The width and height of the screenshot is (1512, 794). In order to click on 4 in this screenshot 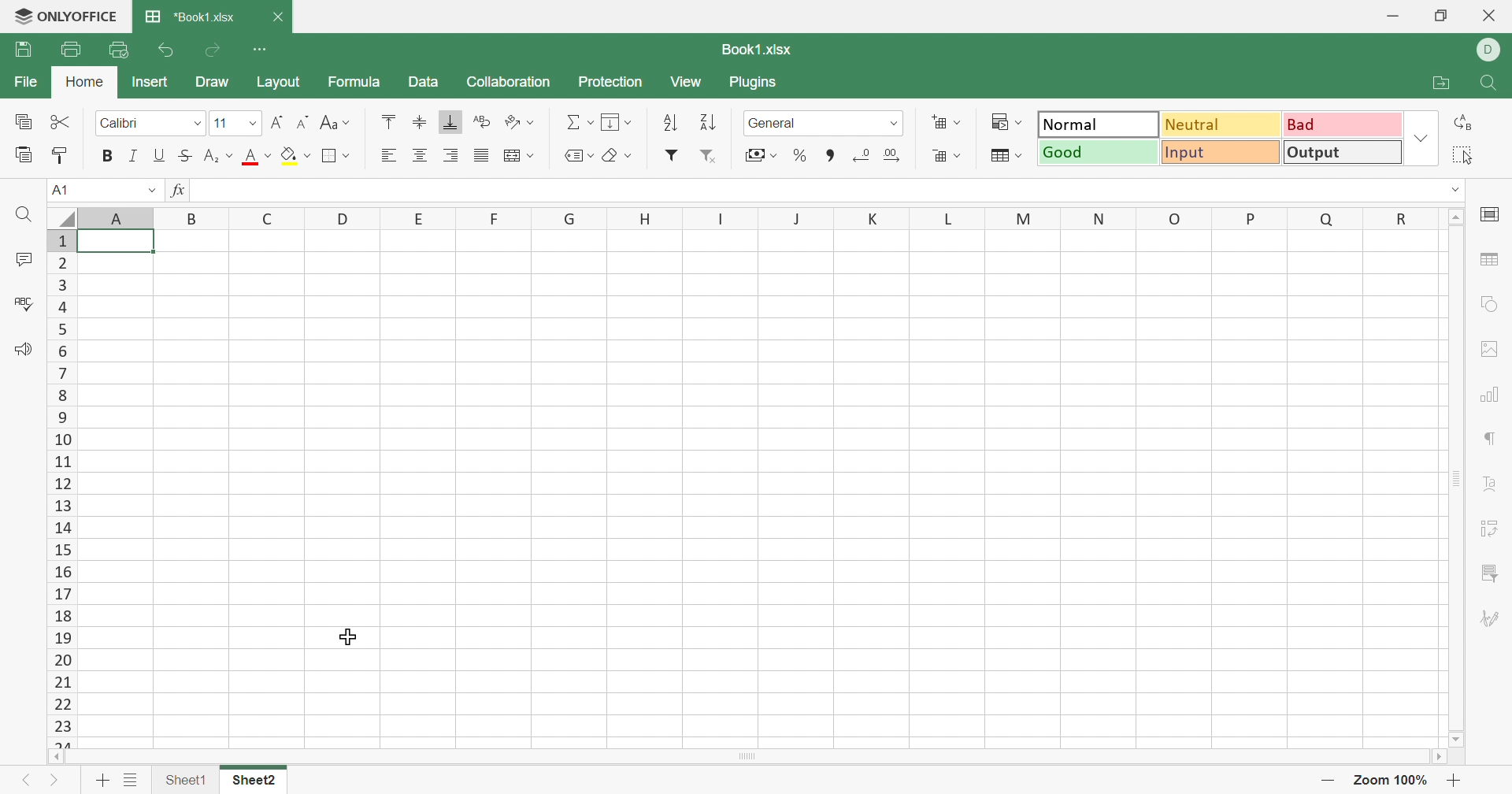, I will do `click(65, 308)`.